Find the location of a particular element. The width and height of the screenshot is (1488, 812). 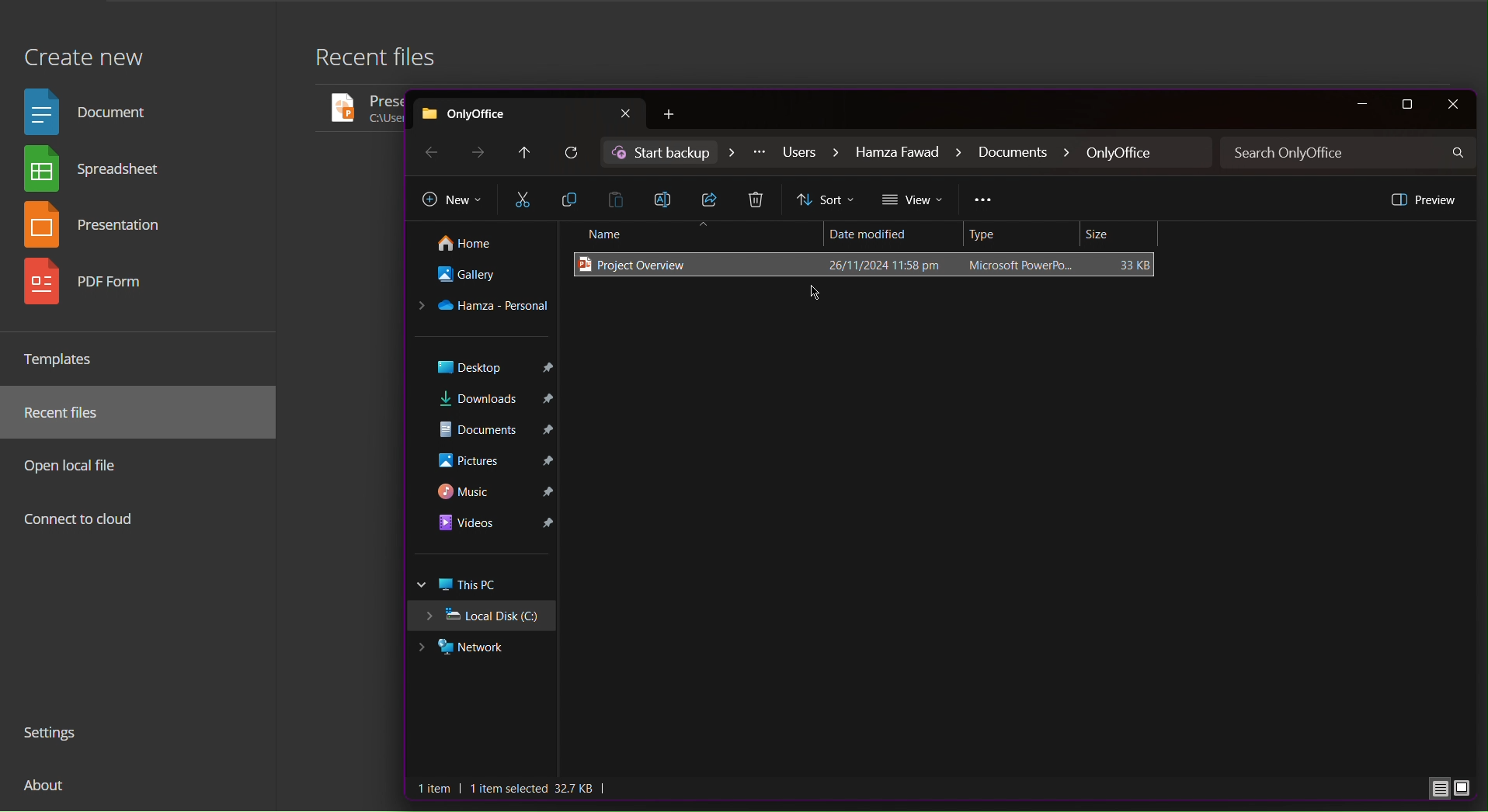

About is located at coordinates (47, 791).